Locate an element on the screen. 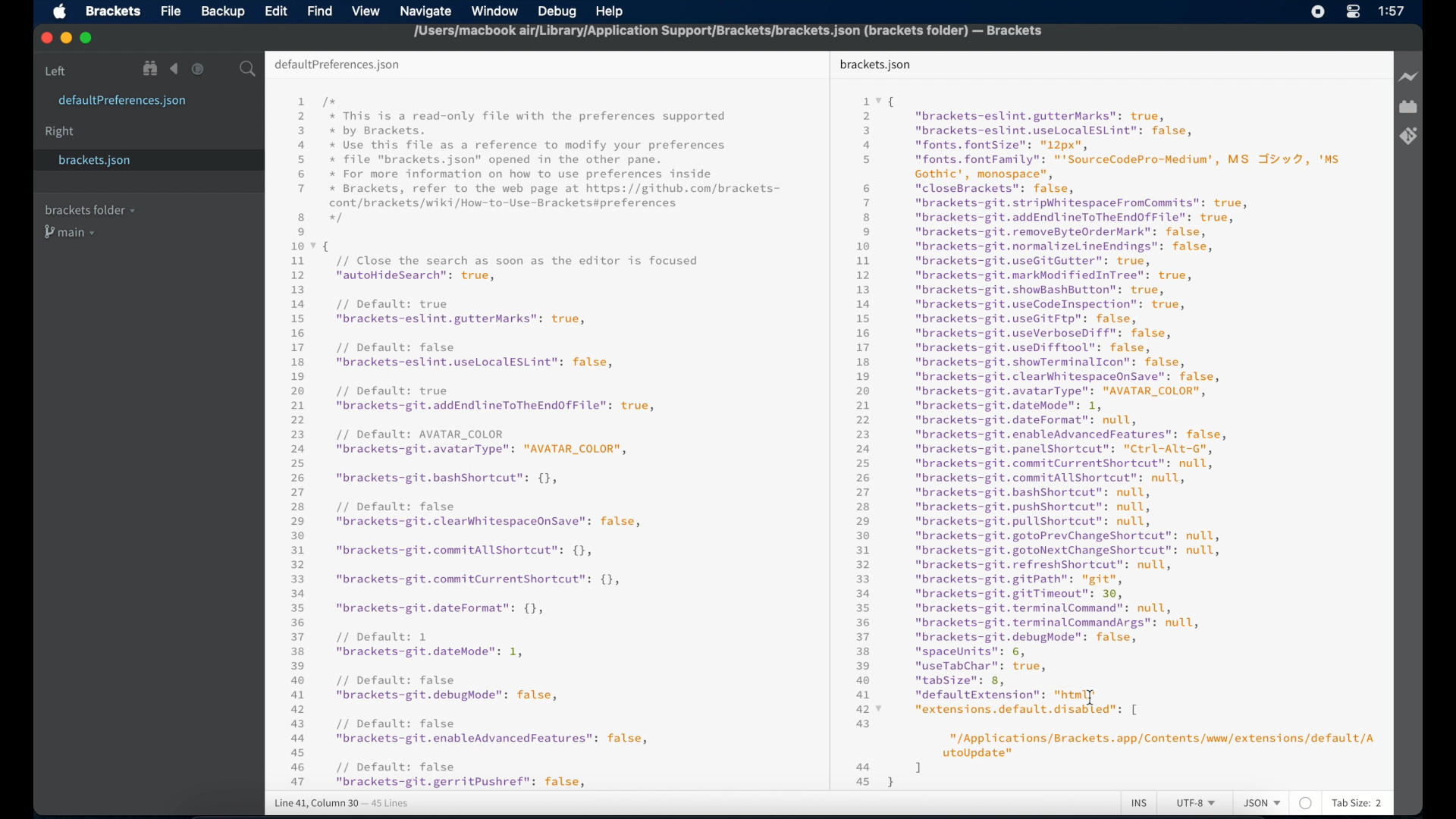 The height and width of the screenshot is (819, 1456). defaultpreferences.json is located at coordinates (123, 102).